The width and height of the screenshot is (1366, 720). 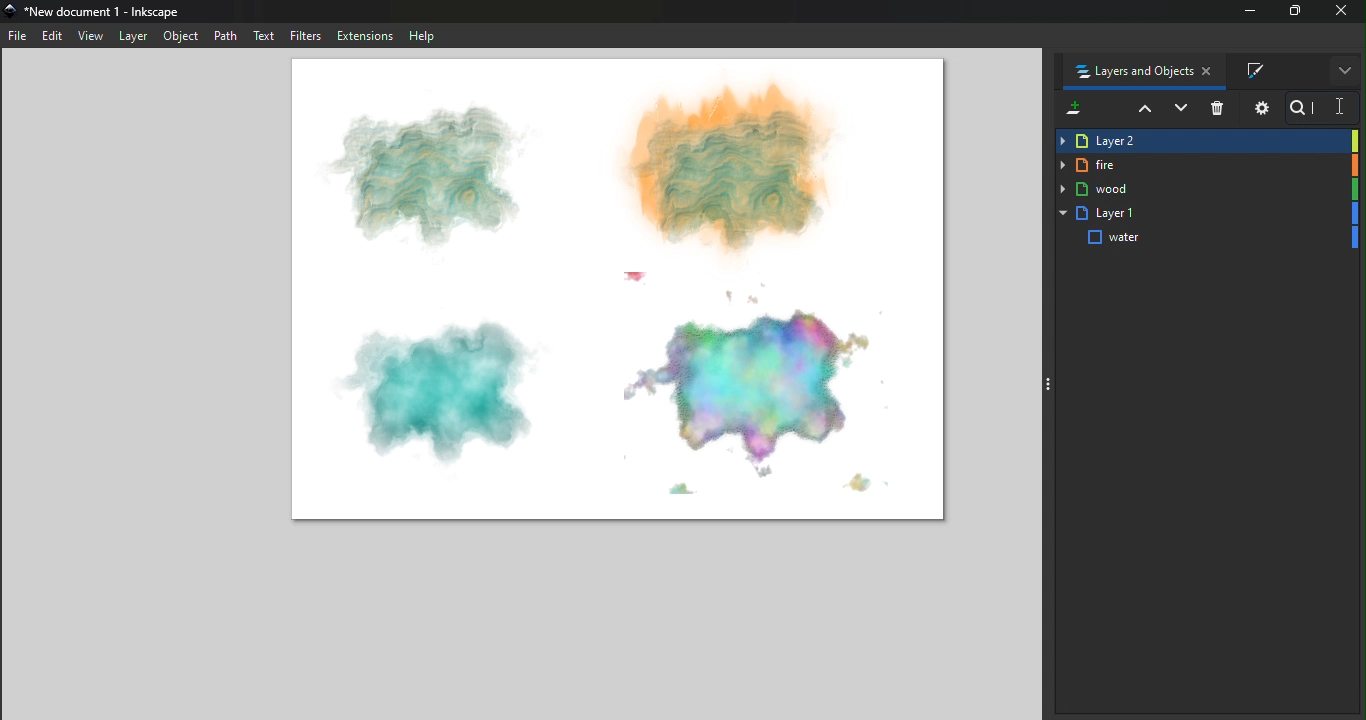 What do you see at coordinates (1206, 141) in the screenshot?
I see `Layer 2` at bounding box center [1206, 141].